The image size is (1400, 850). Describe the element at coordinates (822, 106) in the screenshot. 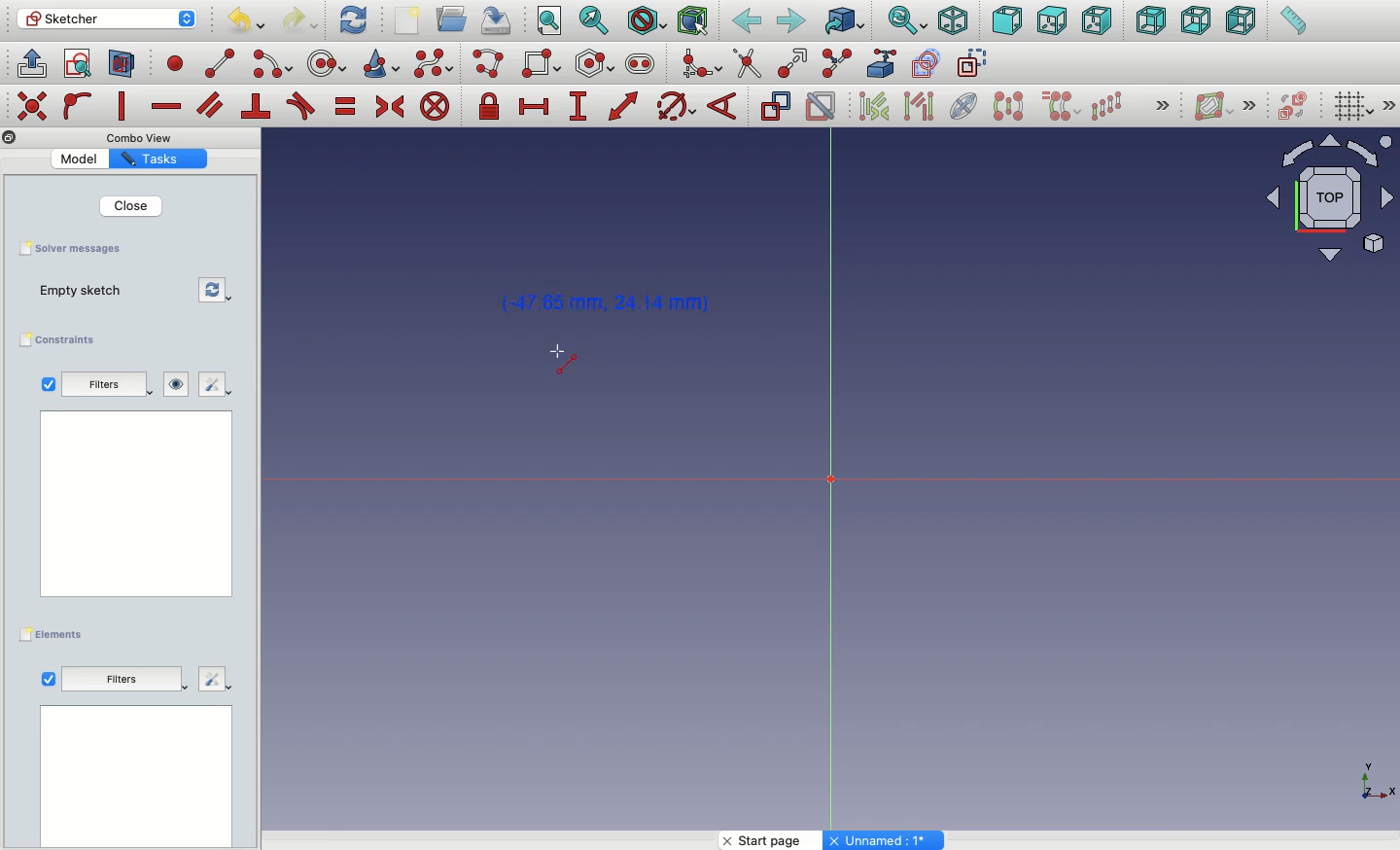

I see `Activate/deactivate constraint` at that location.